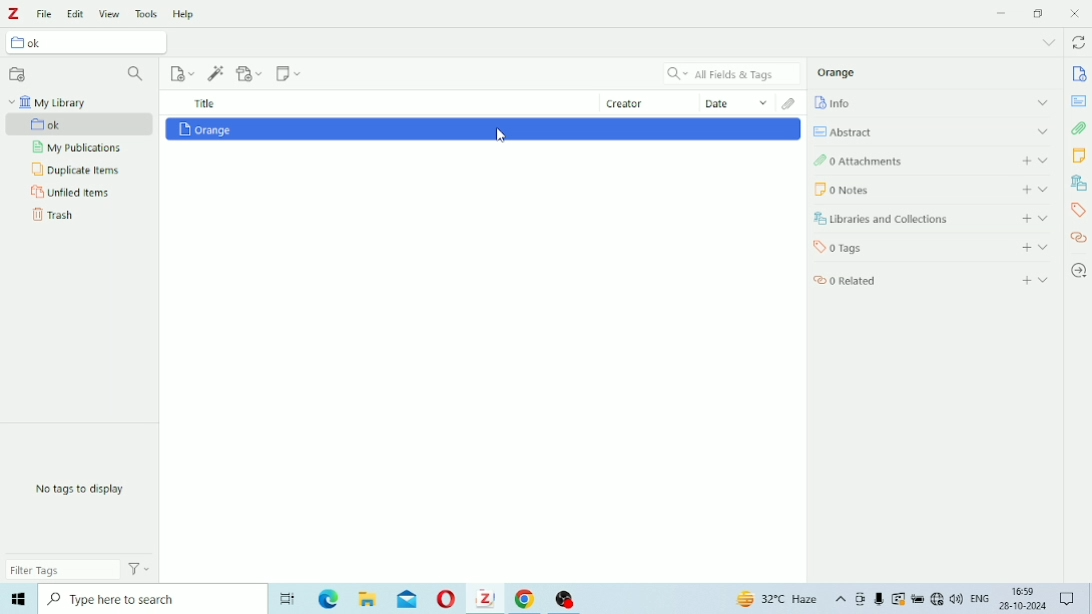 The width and height of the screenshot is (1092, 614). I want to click on Internet, so click(937, 600).